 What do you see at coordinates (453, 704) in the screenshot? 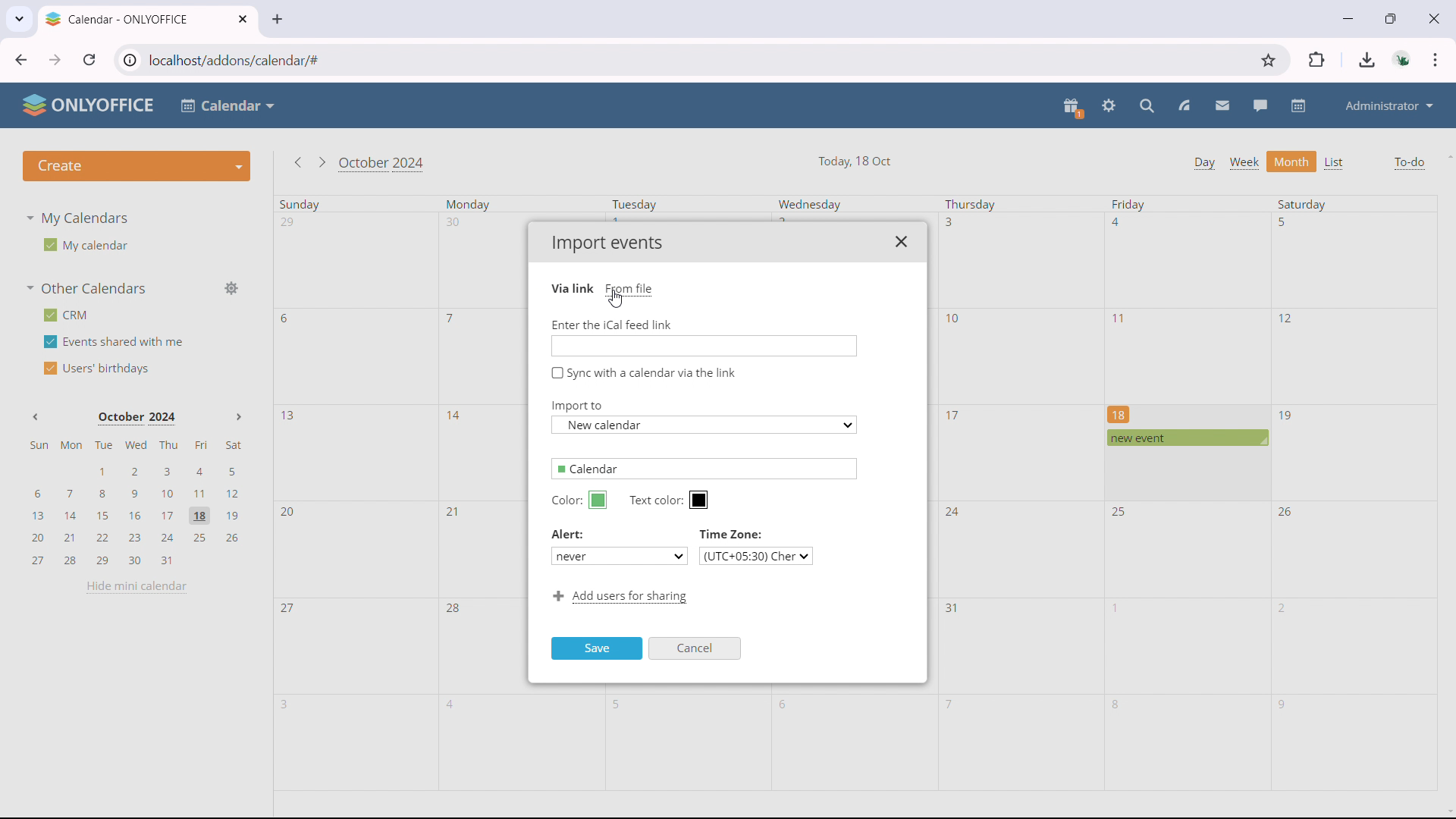
I see `4` at bounding box center [453, 704].